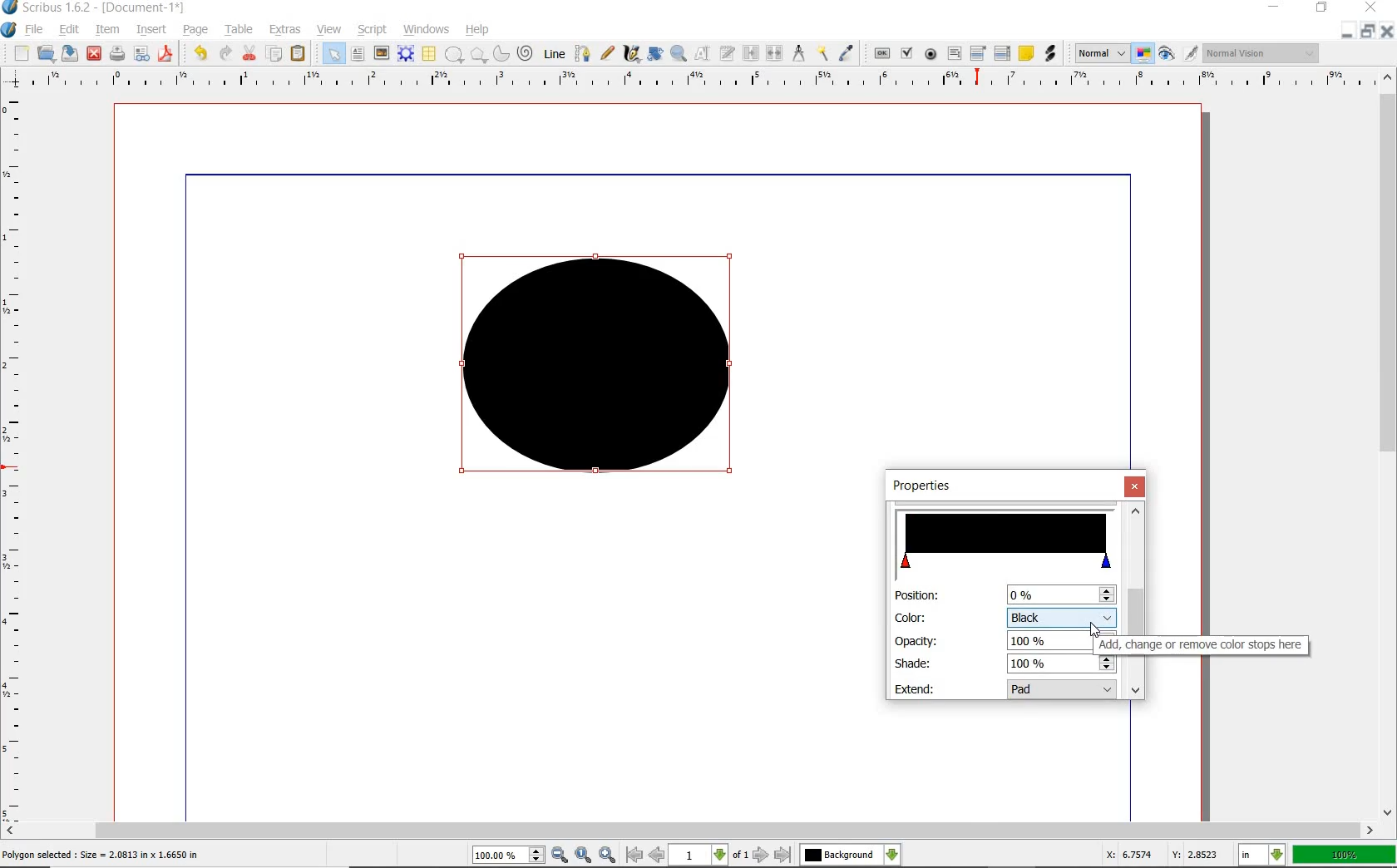 This screenshot has width=1397, height=868. I want to click on CUT, so click(250, 52).